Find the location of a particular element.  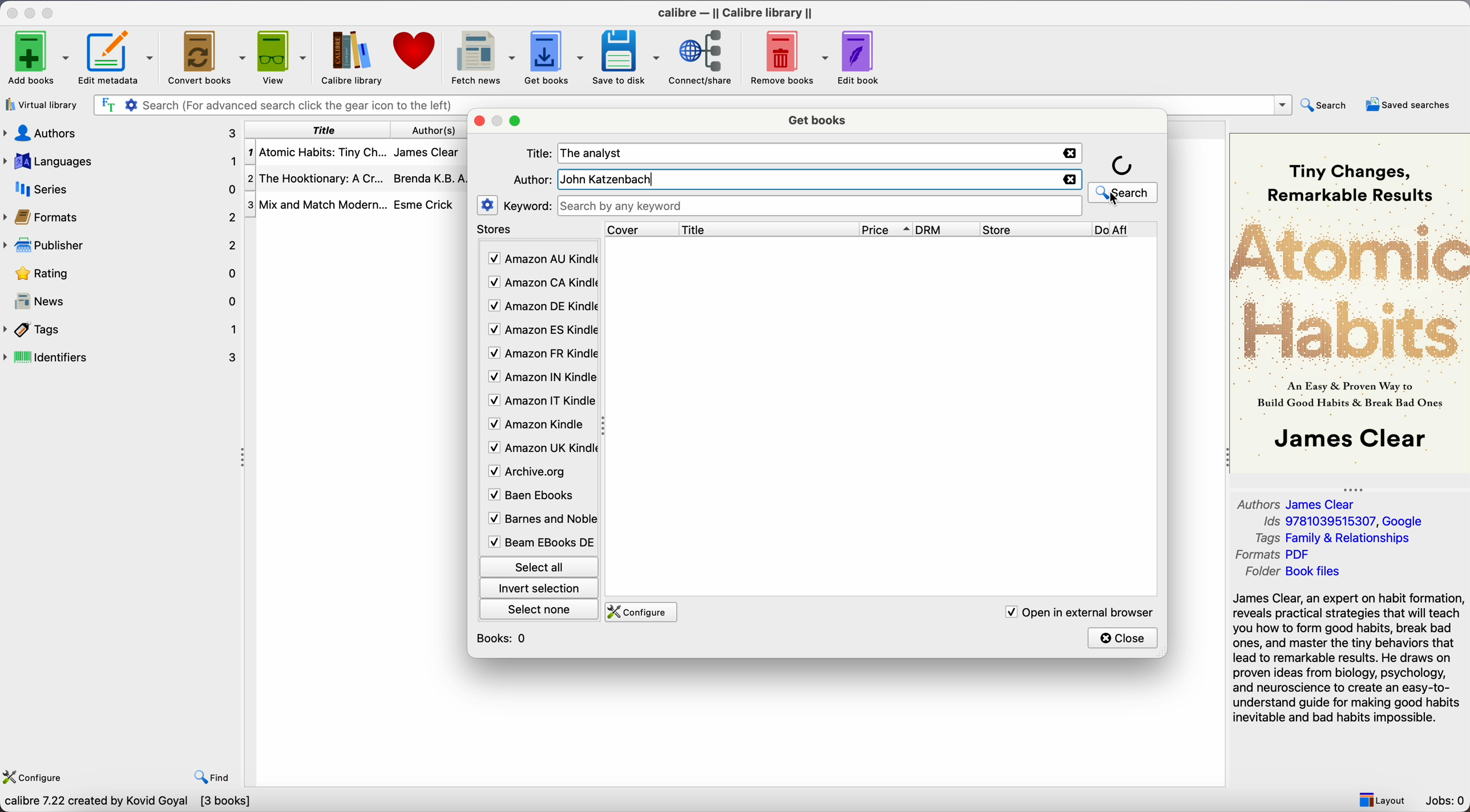

Amazon AU Kindle is located at coordinates (541, 259).